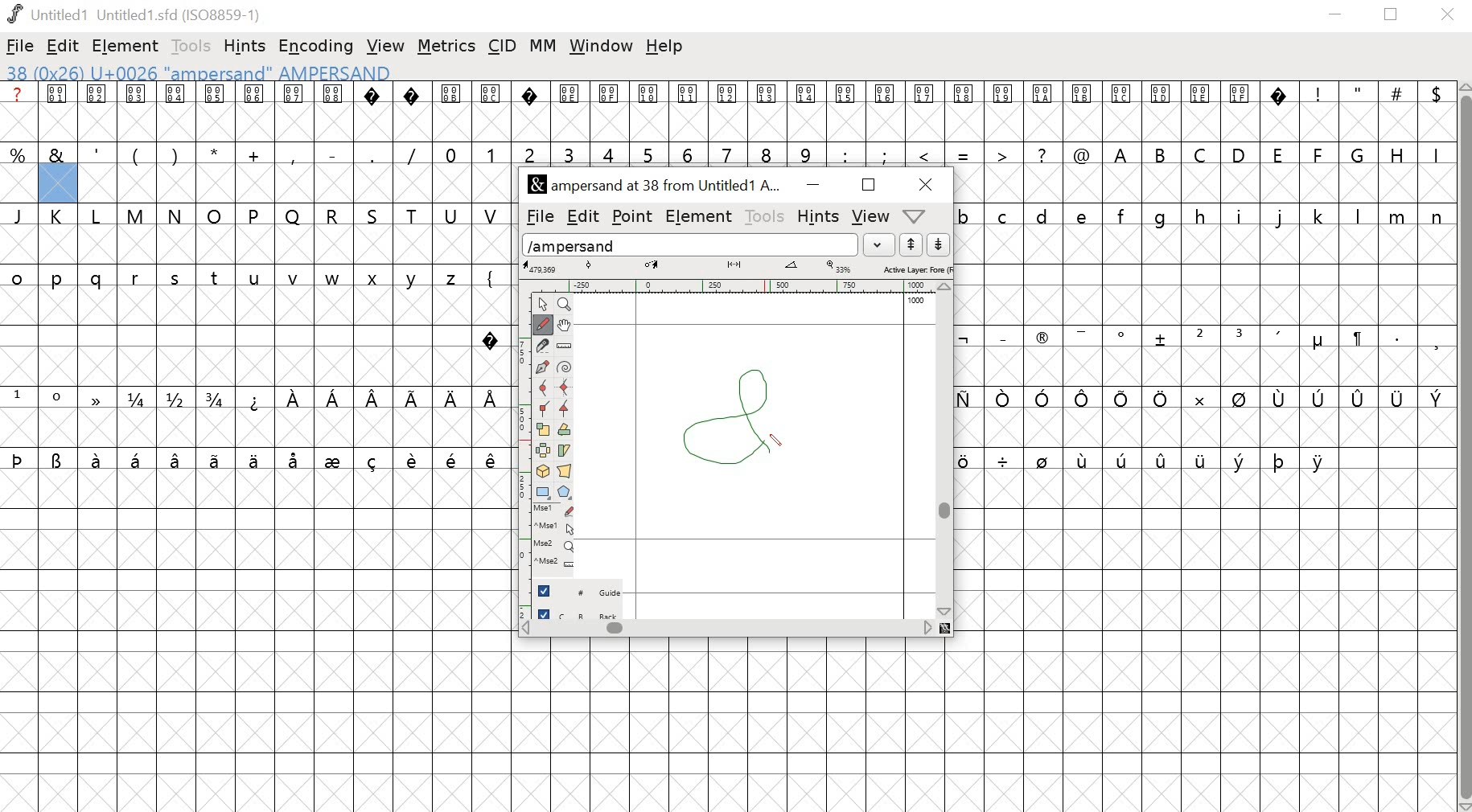 This screenshot has width=1472, height=812. I want to click on ', so click(1281, 338).